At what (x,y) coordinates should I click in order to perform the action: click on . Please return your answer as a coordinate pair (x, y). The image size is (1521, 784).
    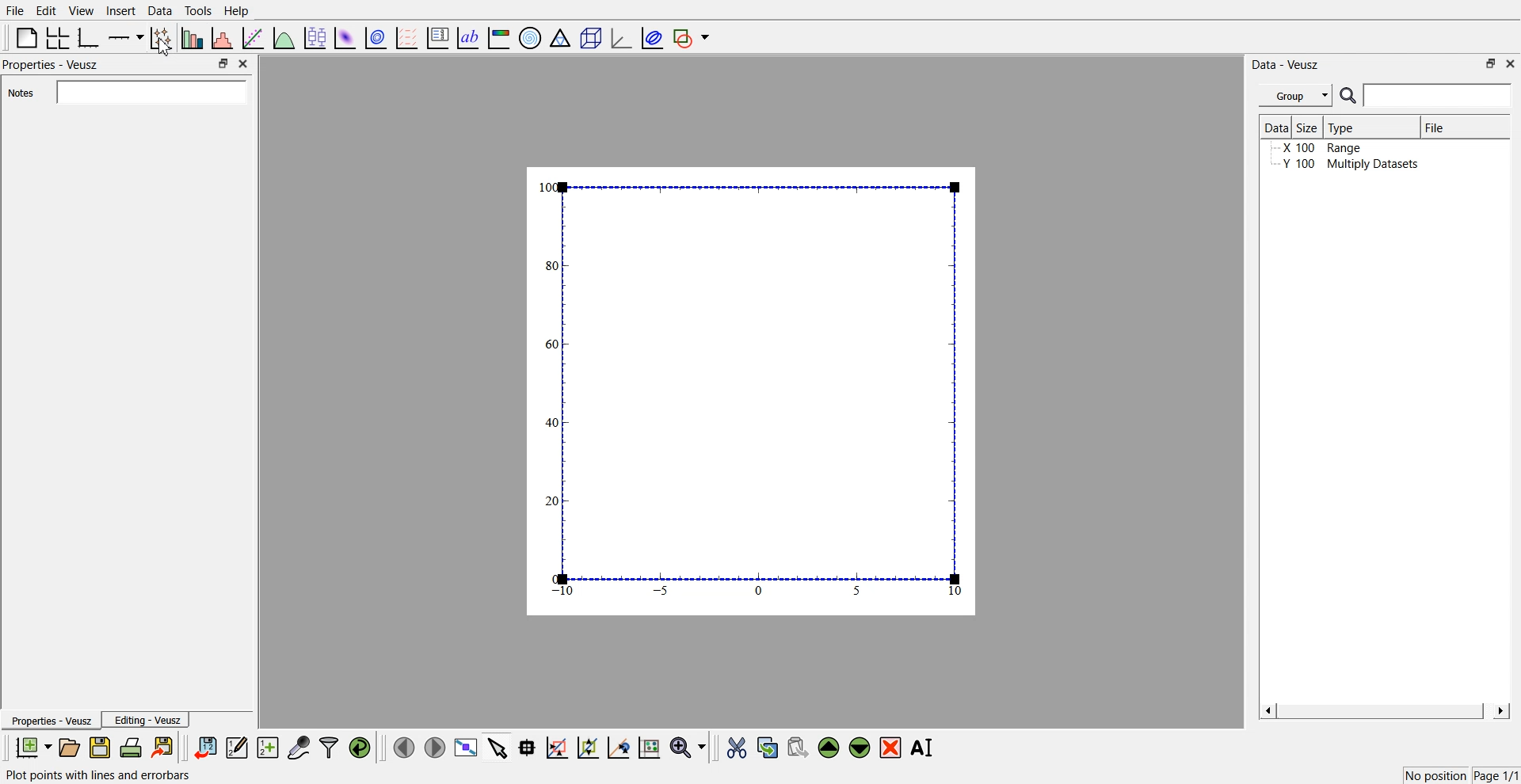
    Looking at the image, I should click on (1295, 96).